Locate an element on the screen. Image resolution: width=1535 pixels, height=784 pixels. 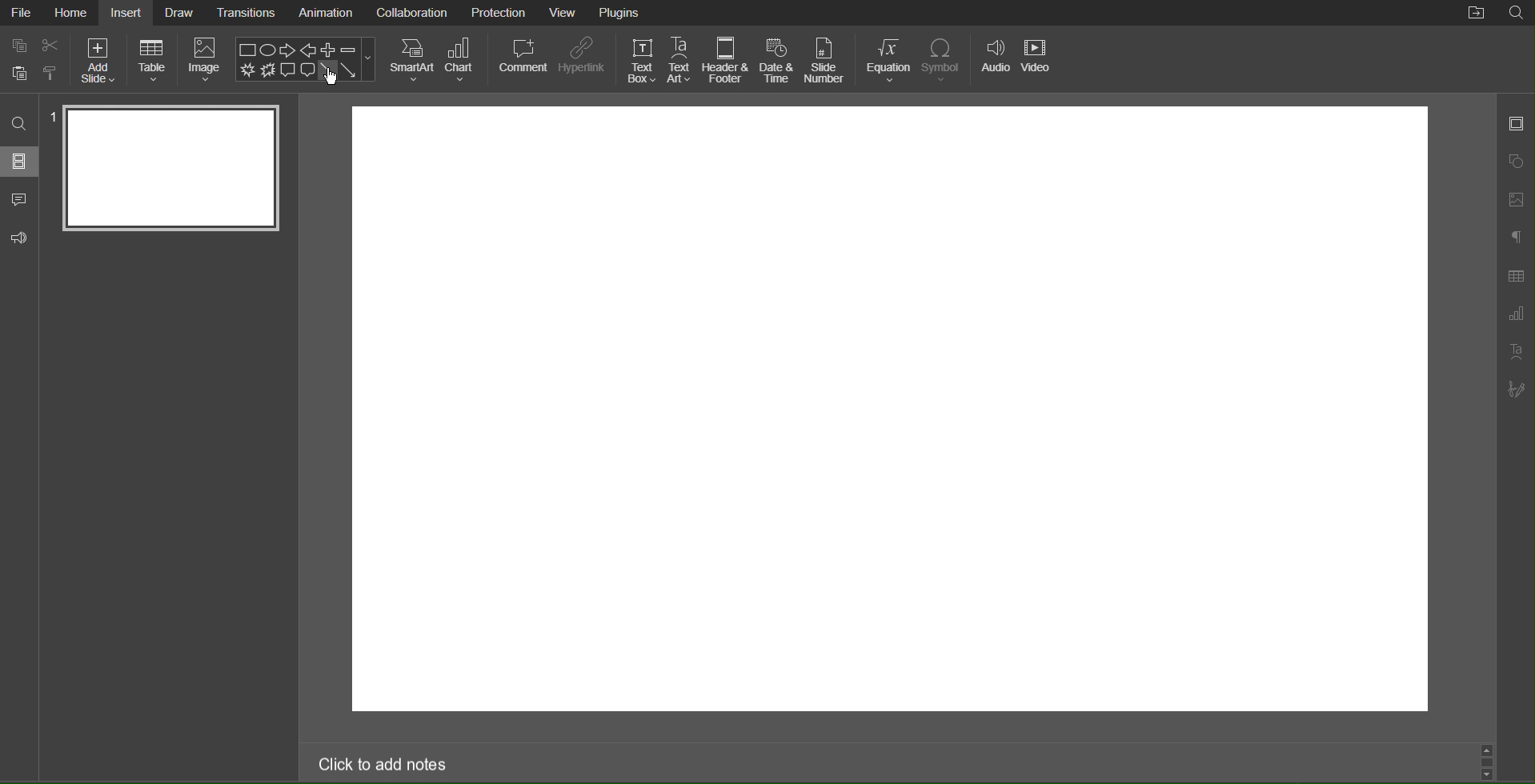
TextArt is located at coordinates (1517, 351).